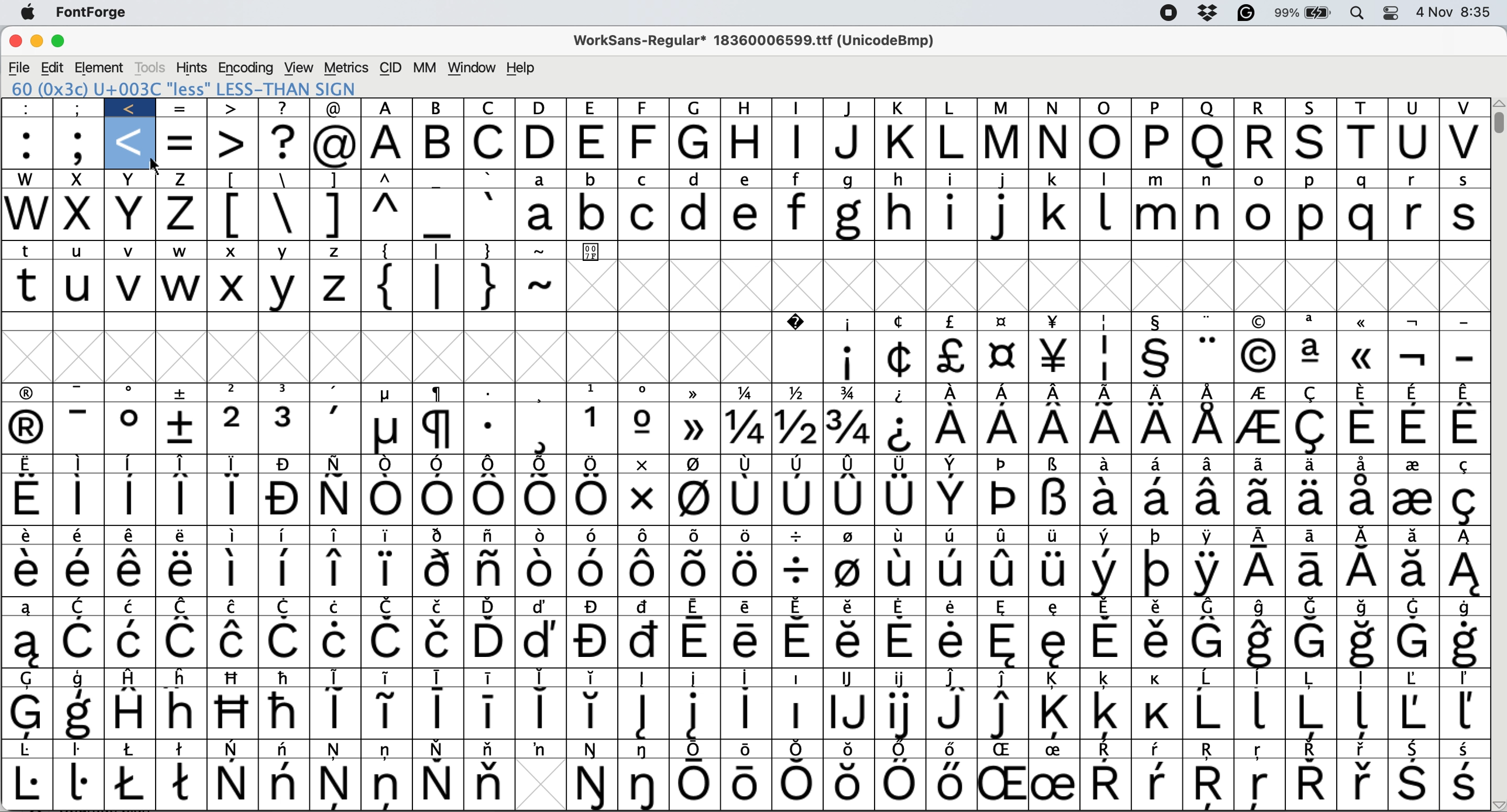  I want to click on Symbol, so click(746, 501).